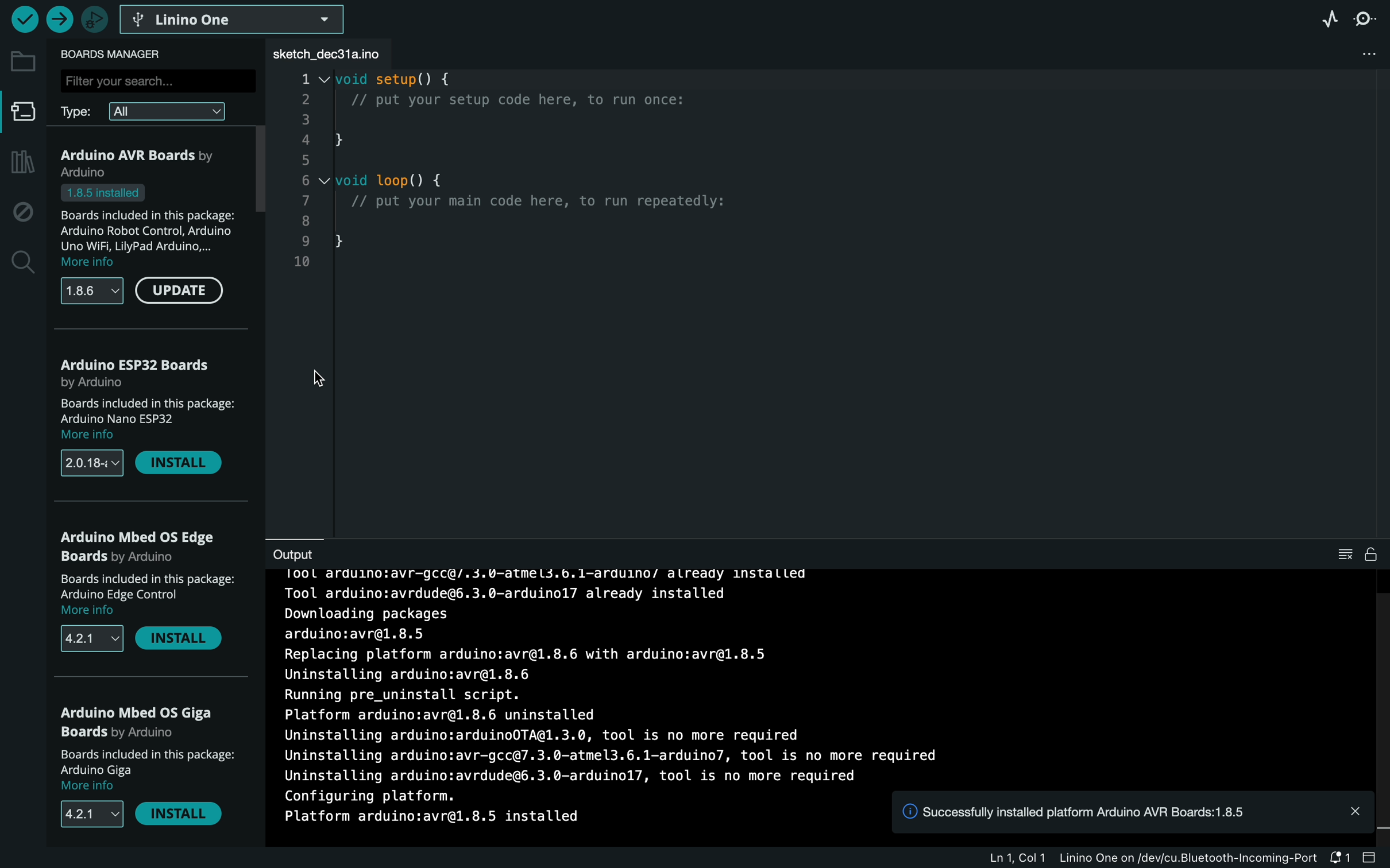 The width and height of the screenshot is (1390, 868). I want to click on INSTALL, so click(183, 817).